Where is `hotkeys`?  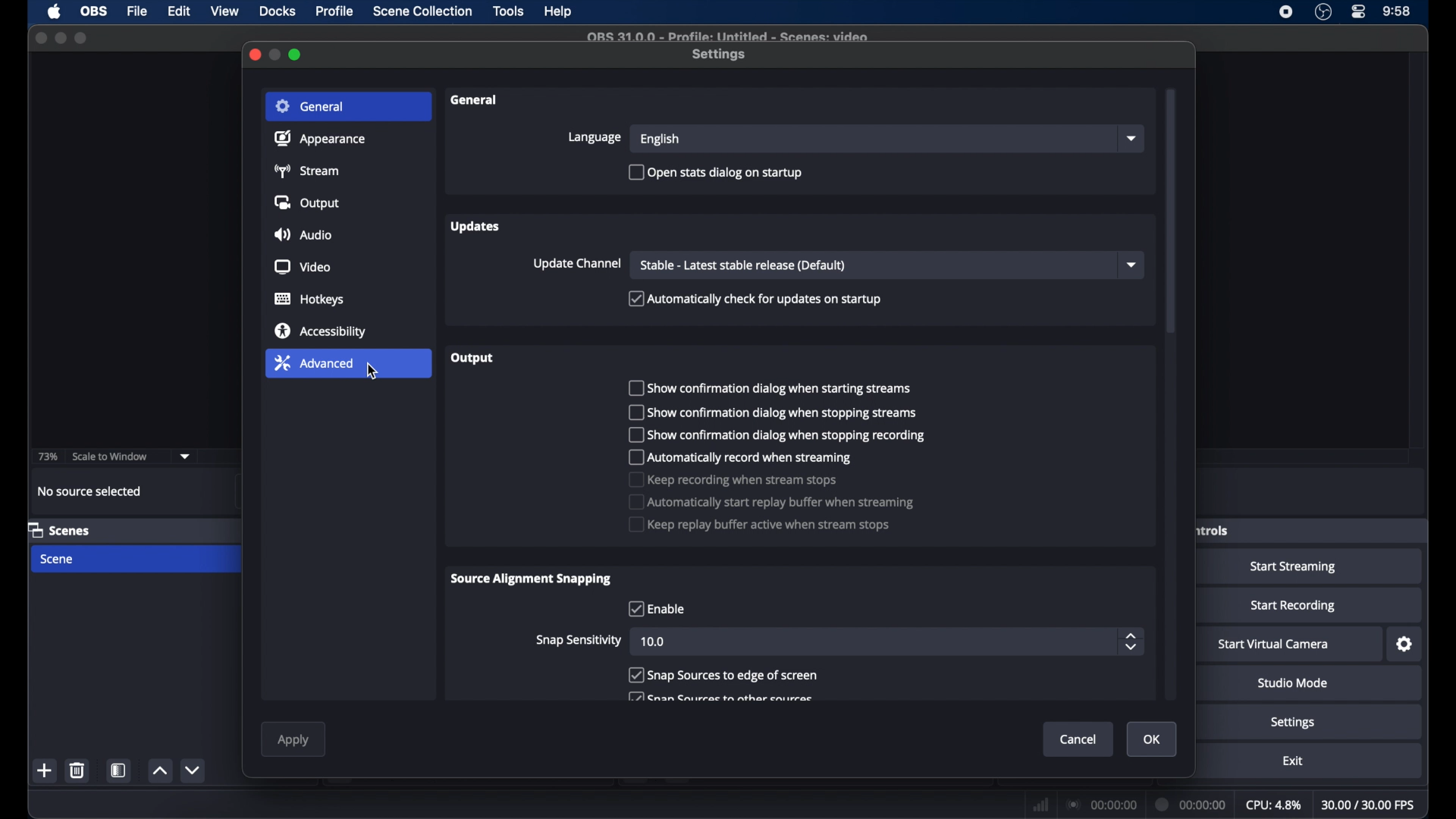 hotkeys is located at coordinates (309, 300).